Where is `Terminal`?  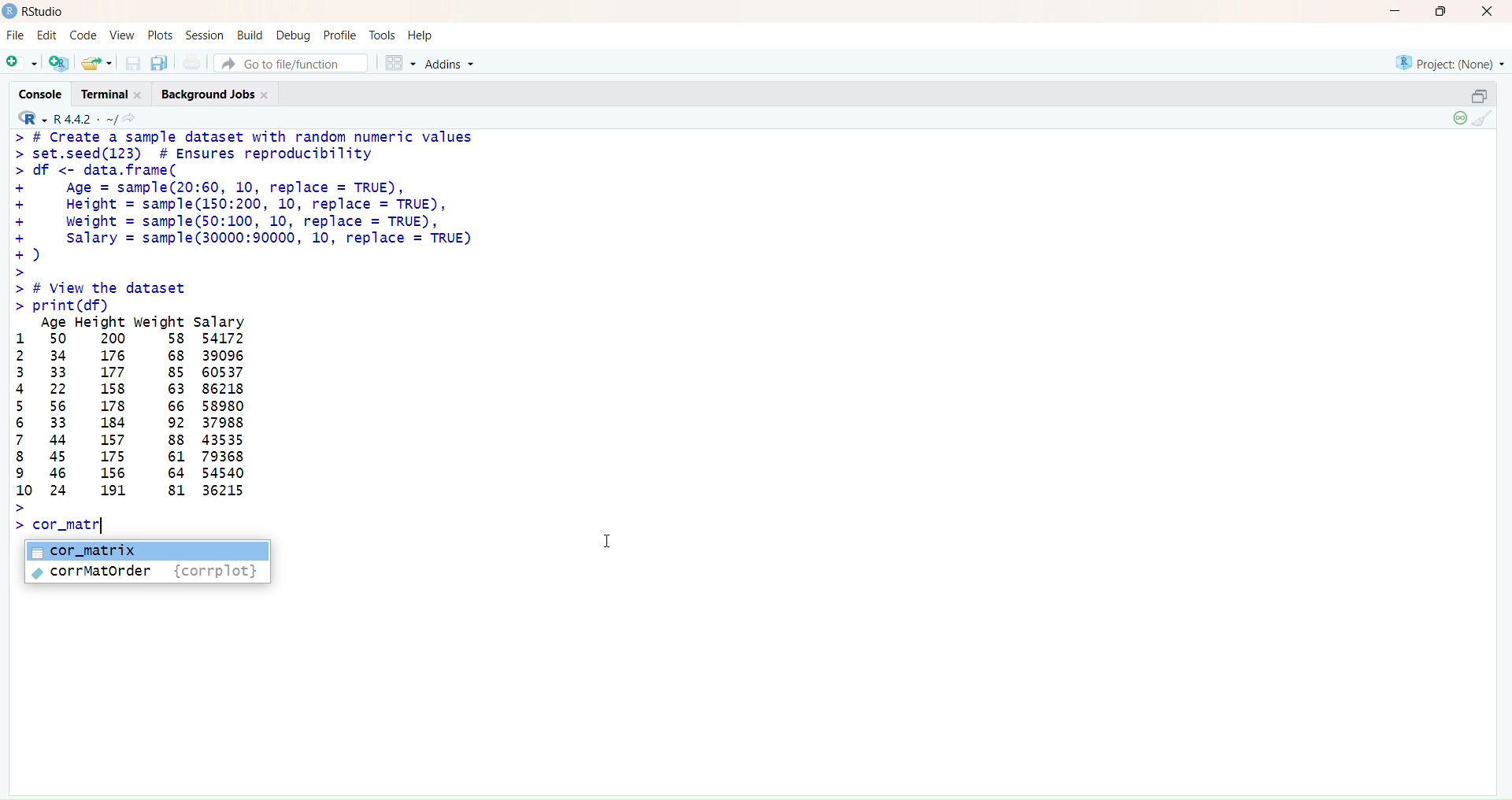 Terminal is located at coordinates (117, 94).